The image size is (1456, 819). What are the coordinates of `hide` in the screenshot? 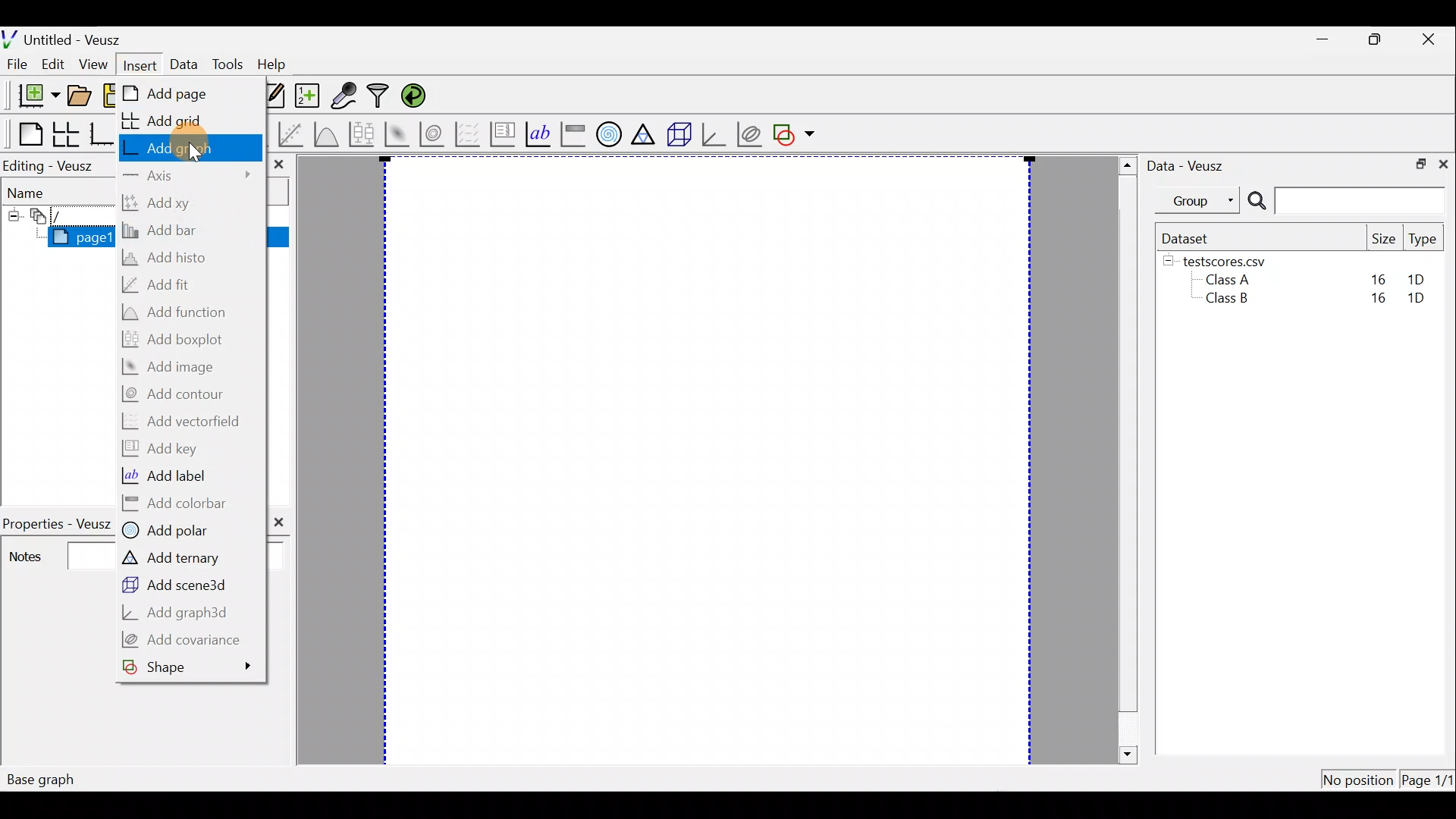 It's located at (13, 216).